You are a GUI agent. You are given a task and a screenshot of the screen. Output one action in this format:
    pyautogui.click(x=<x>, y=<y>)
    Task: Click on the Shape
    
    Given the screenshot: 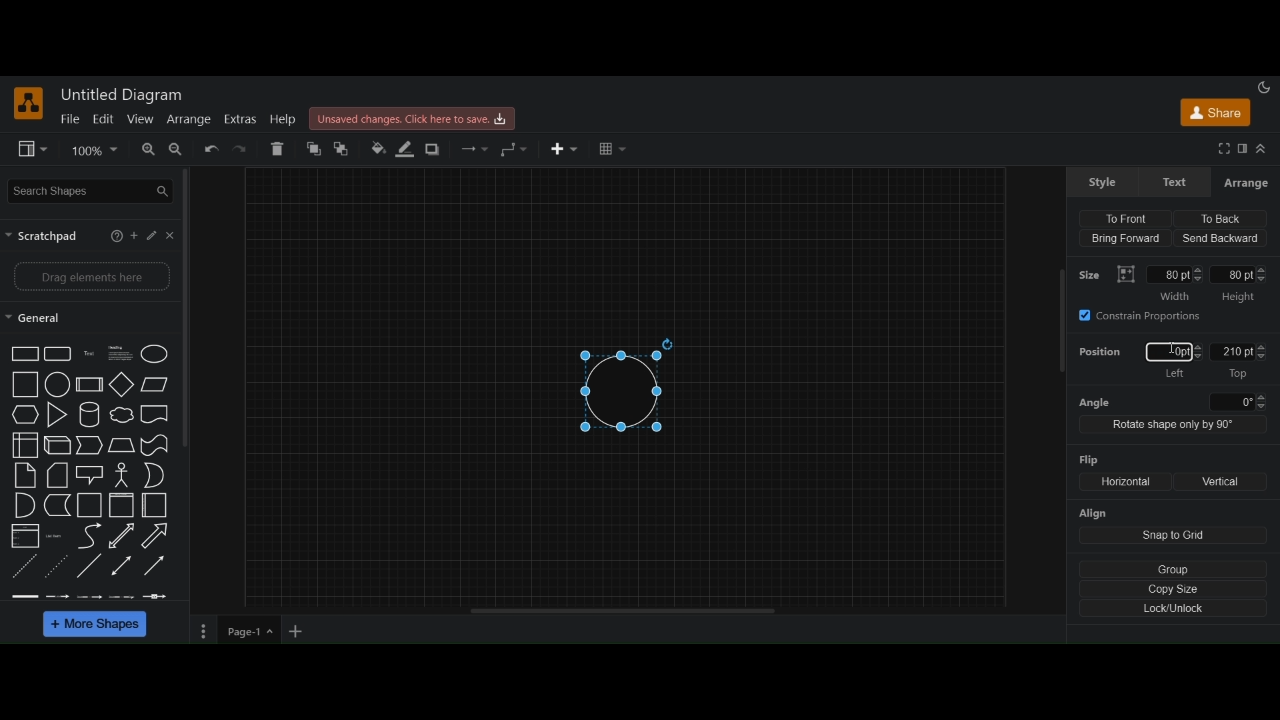 What is the action you would take?
    pyautogui.click(x=25, y=446)
    